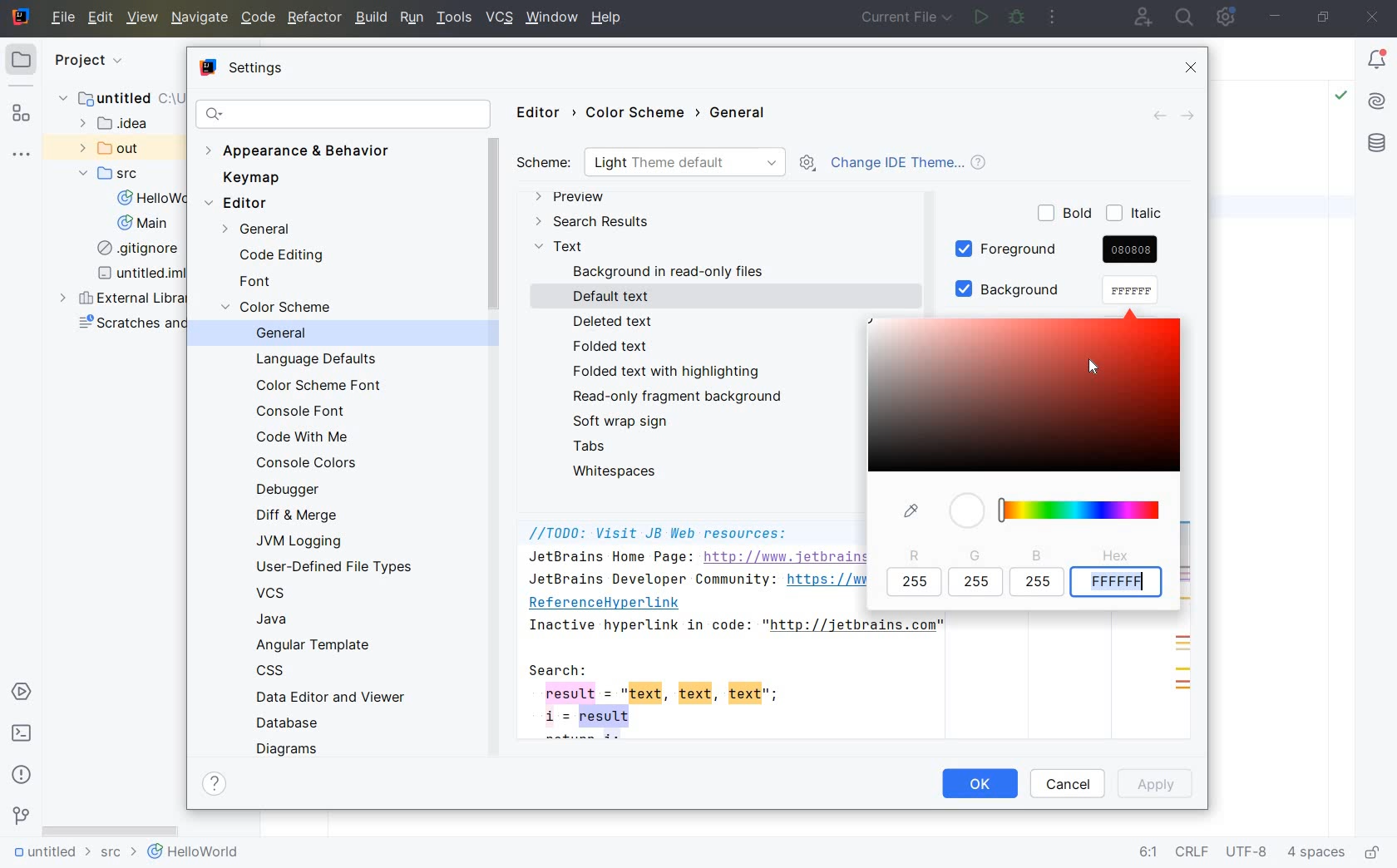 Image resolution: width=1397 pixels, height=868 pixels. What do you see at coordinates (980, 786) in the screenshot?
I see `OK` at bounding box center [980, 786].